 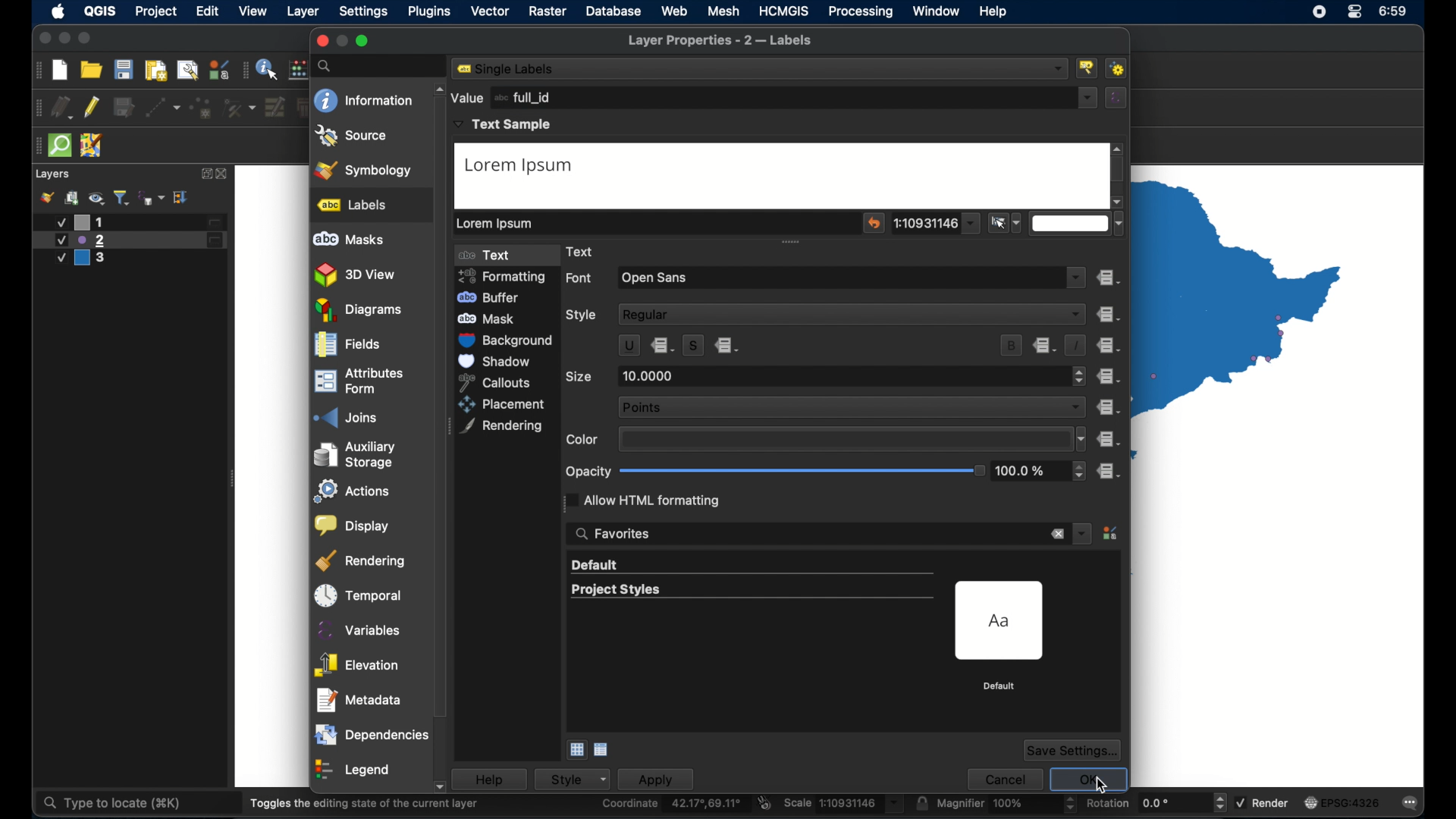 I want to click on layer 1, so click(x=136, y=222).